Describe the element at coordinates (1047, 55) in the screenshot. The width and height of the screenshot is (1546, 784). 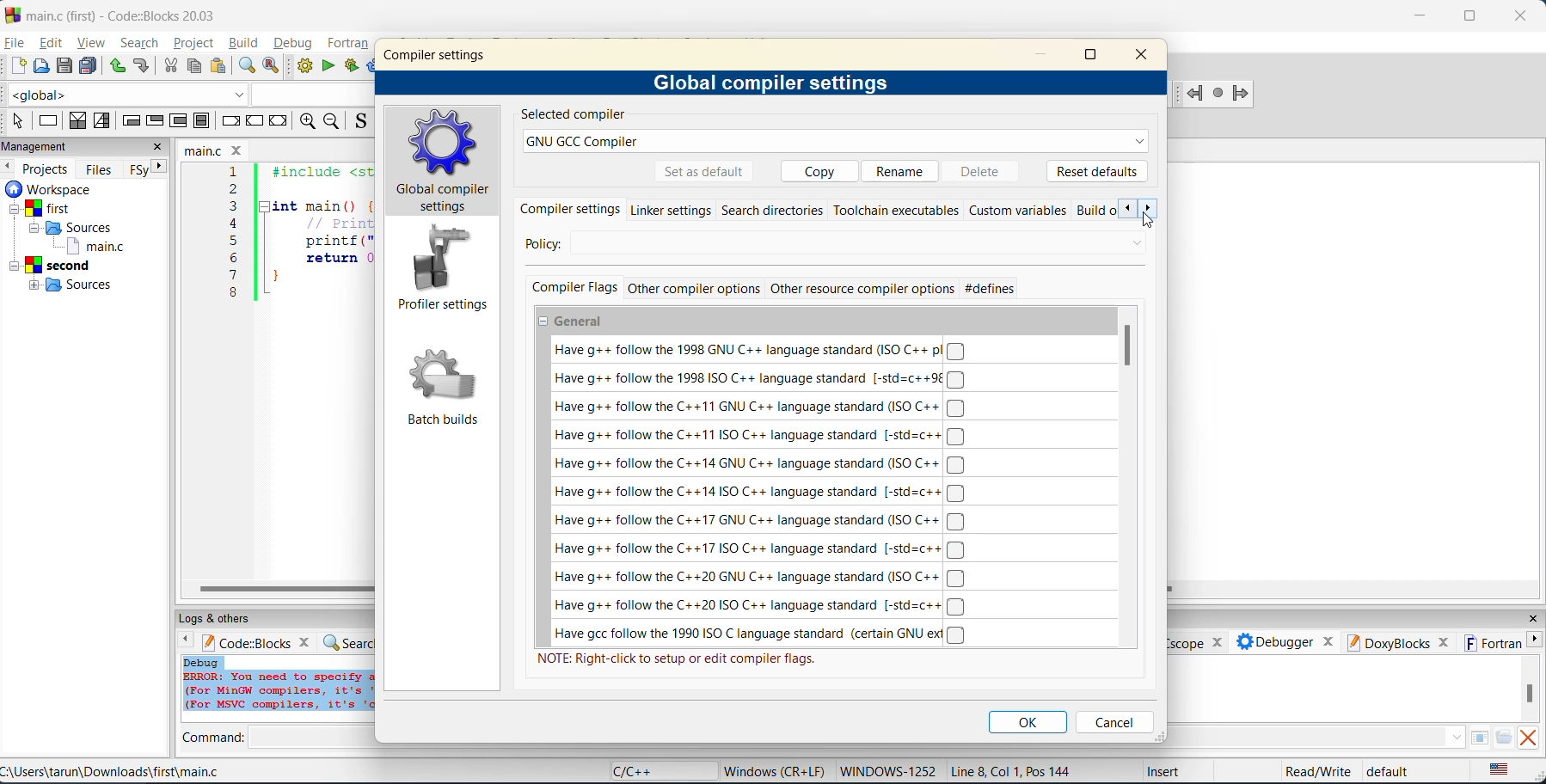
I see `minimize` at that location.